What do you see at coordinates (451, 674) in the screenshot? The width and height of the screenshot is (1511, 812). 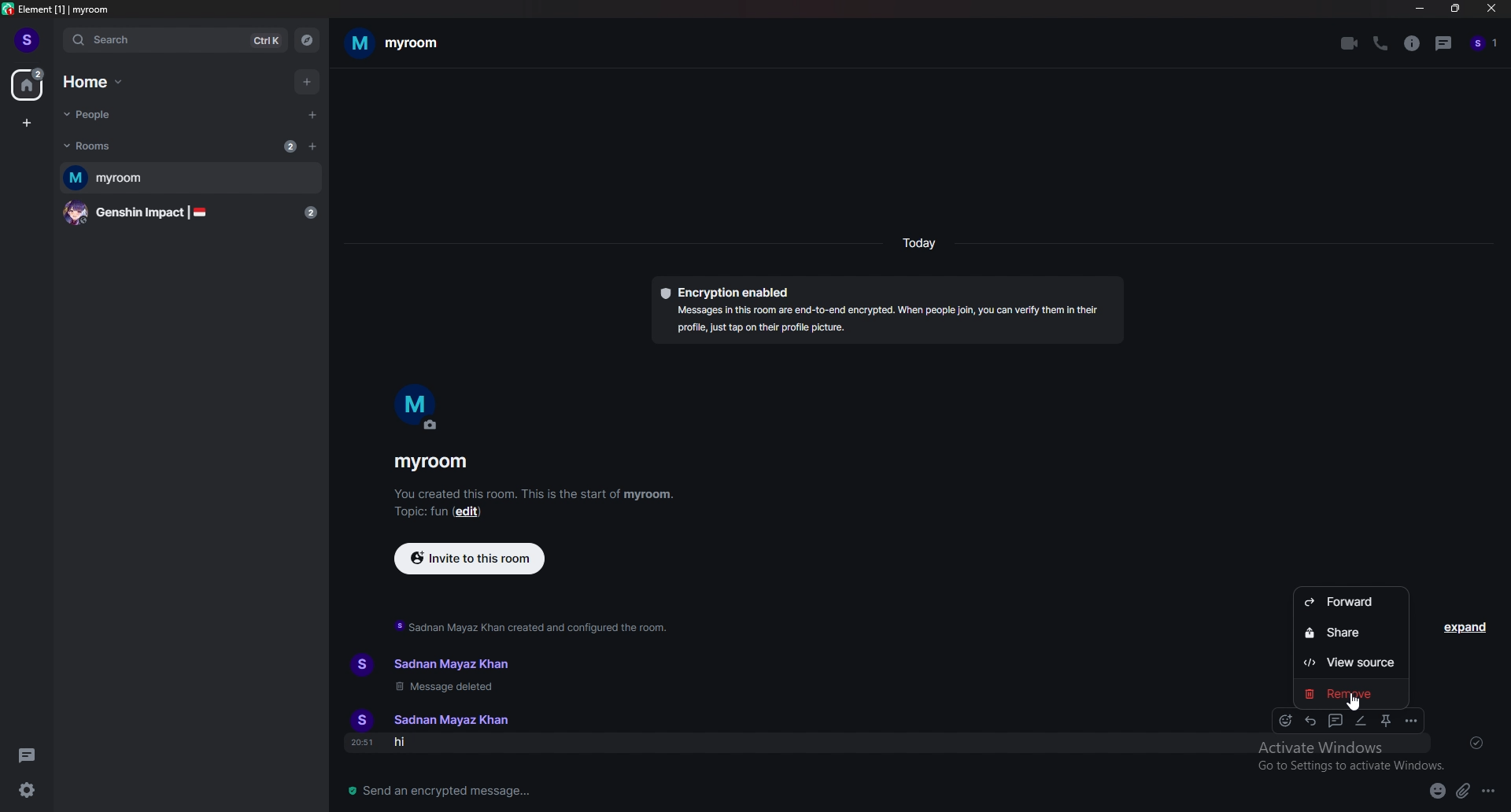 I see `sadan mayaz khan message deleted` at bounding box center [451, 674].